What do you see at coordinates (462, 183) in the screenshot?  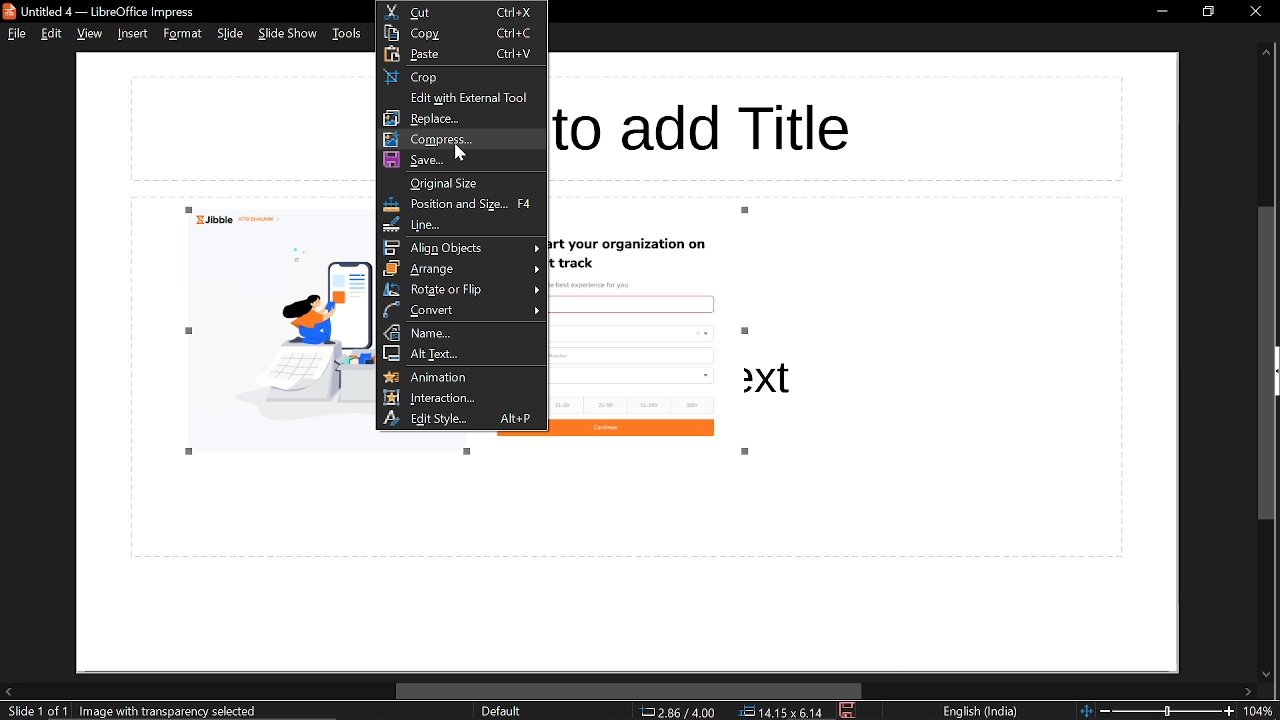 I see `original size` at bounding box center [462, 183].